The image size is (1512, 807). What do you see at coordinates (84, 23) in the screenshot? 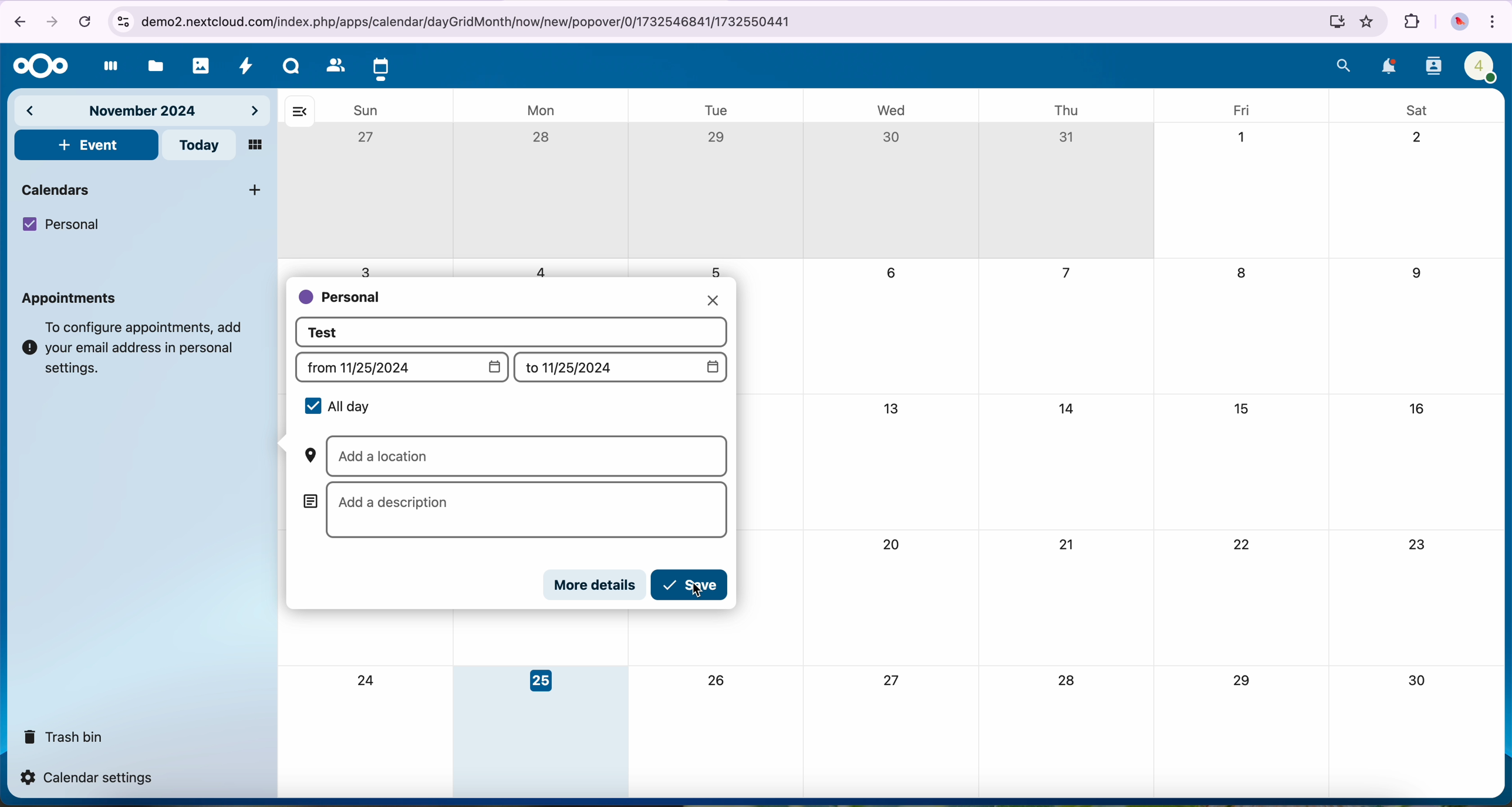
I see `cancel` at bounding box center [84, 23].